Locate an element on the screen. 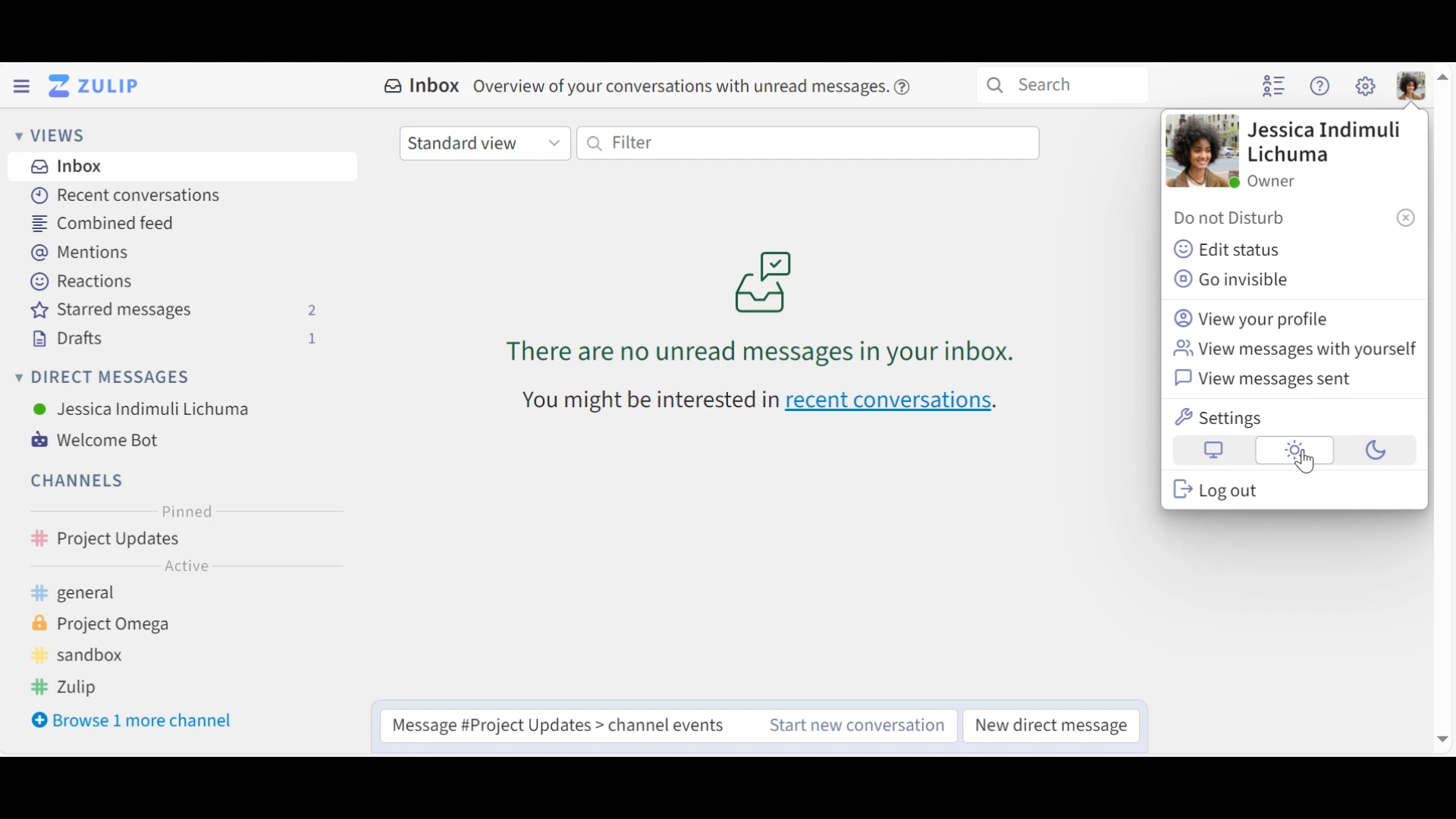 This screenshot has width=1456, height=819. View messages with yourself is located at coordinates (1294, 350).